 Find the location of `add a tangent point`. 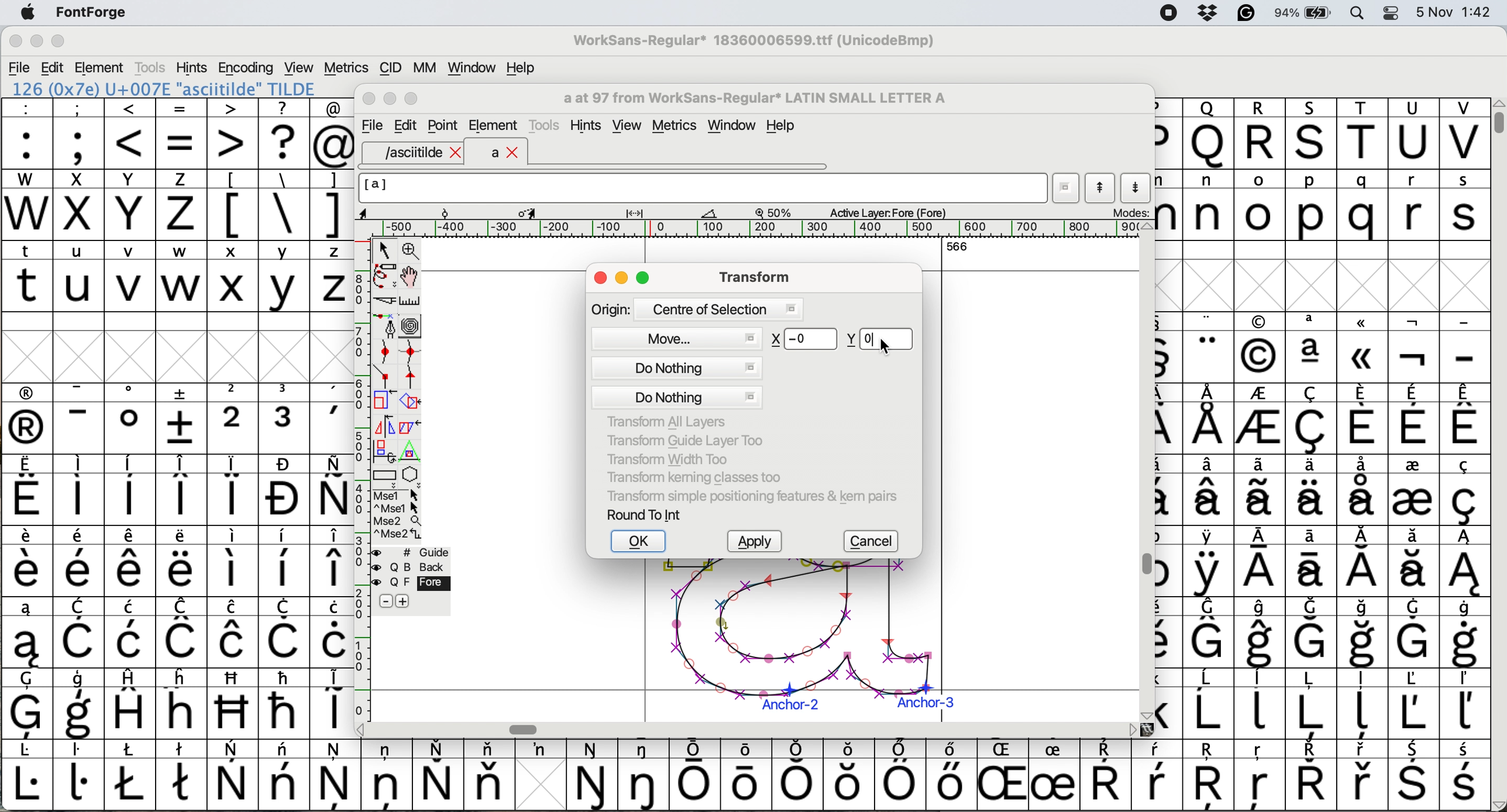

add a tangent point is located at coordinates (413, 376).